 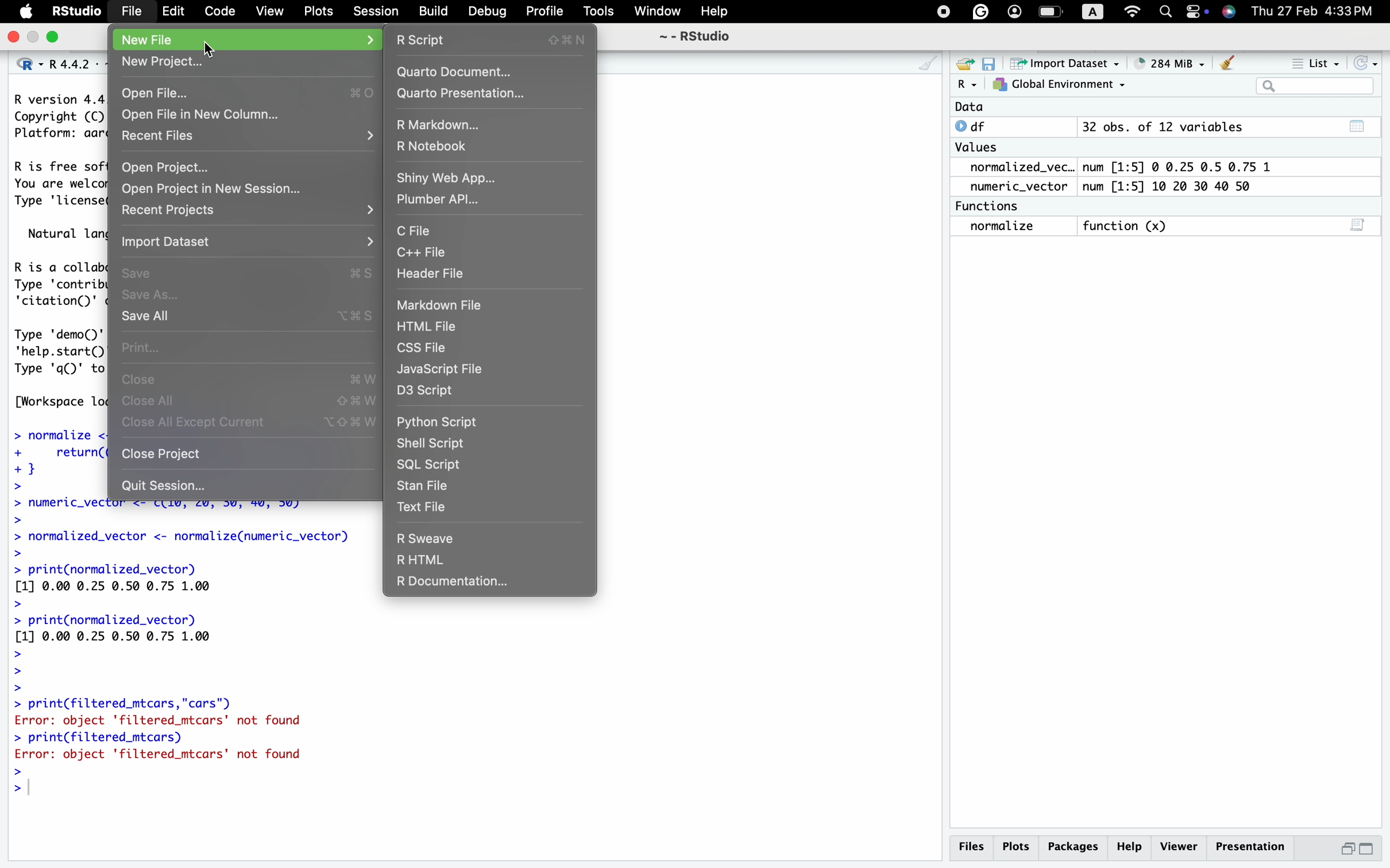 What do you see at coordinates (444, 371) in the screenshot?
I see `JavaScript File` at bounding box center [444, 371].